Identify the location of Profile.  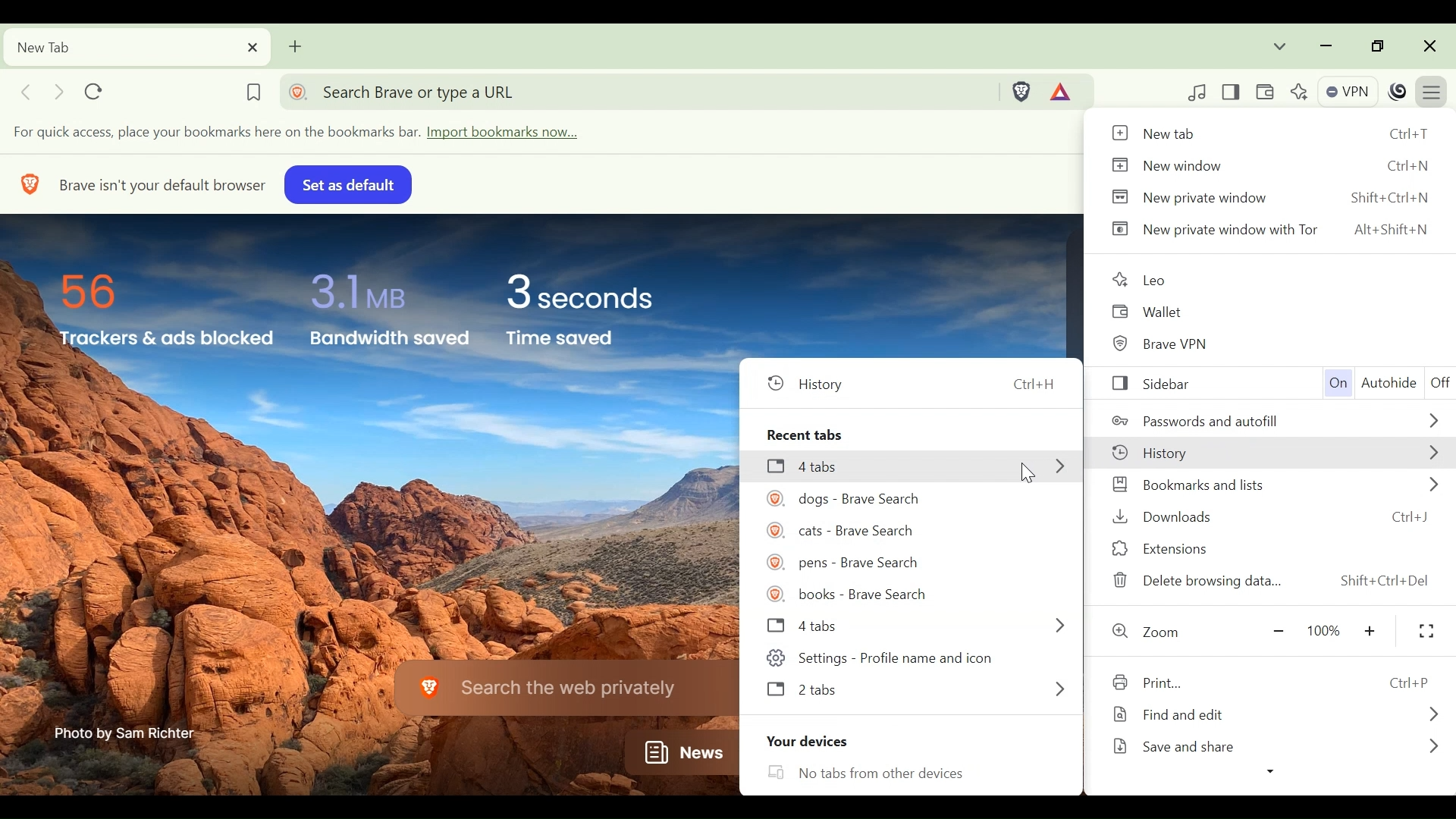
(1398, 91).